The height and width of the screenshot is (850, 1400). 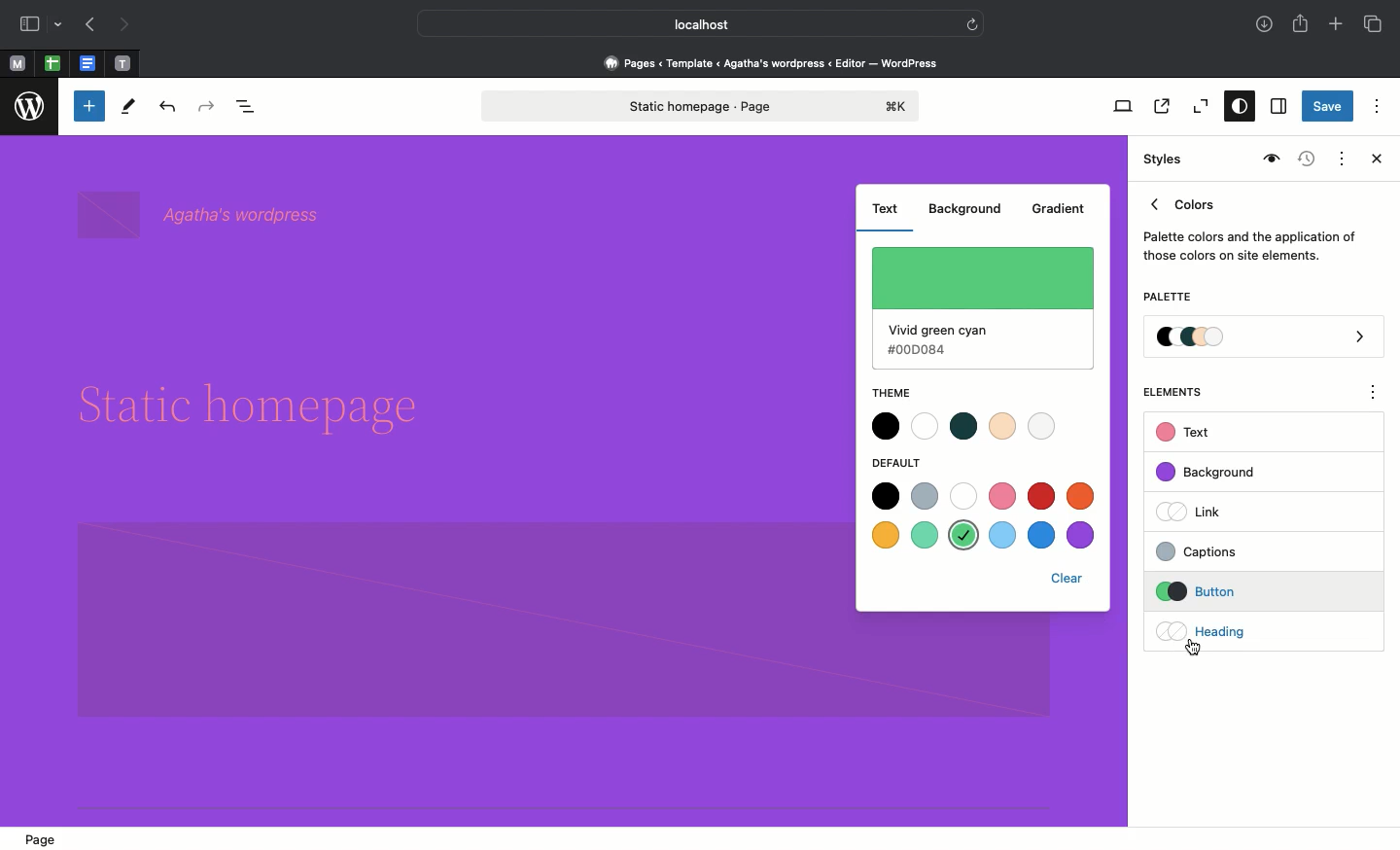 What do you see at coordinates (891, 391) in the screenshot?
I see `Theme` at bounding box center [891, 391].